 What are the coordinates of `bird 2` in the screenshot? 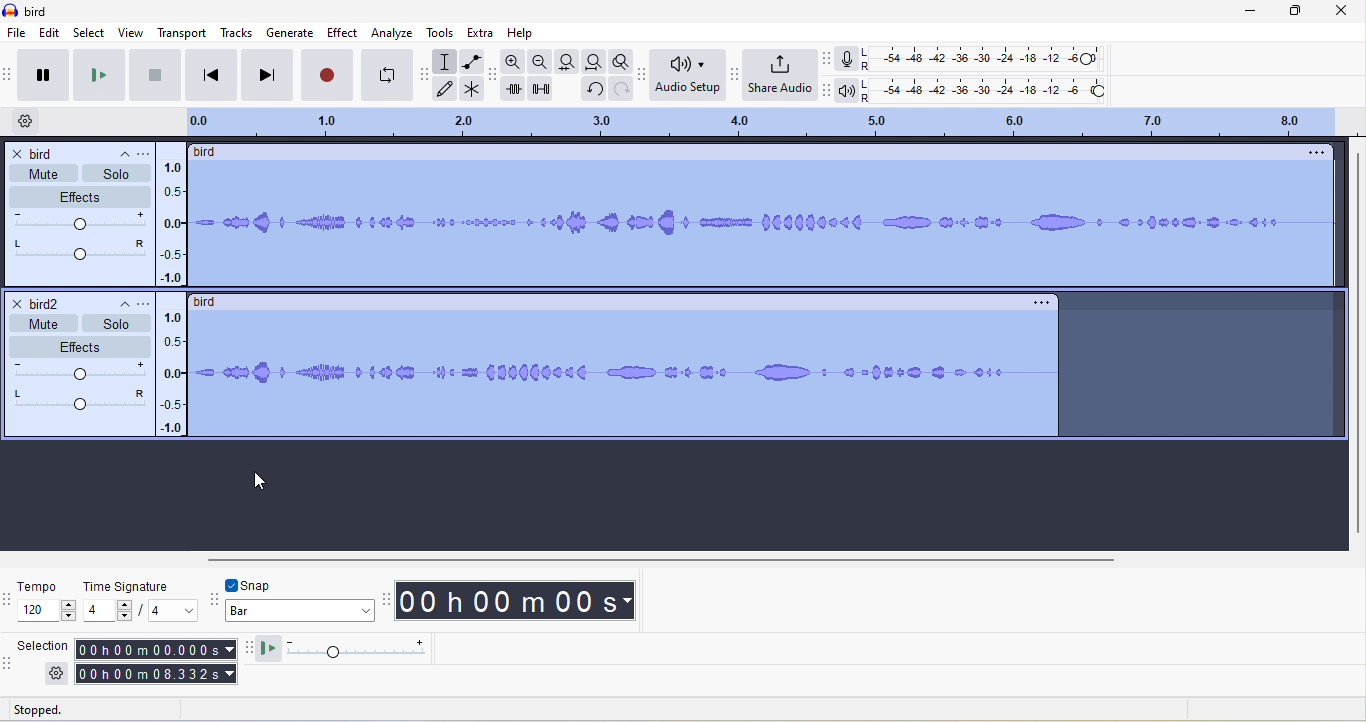 It's located at (39, 303).